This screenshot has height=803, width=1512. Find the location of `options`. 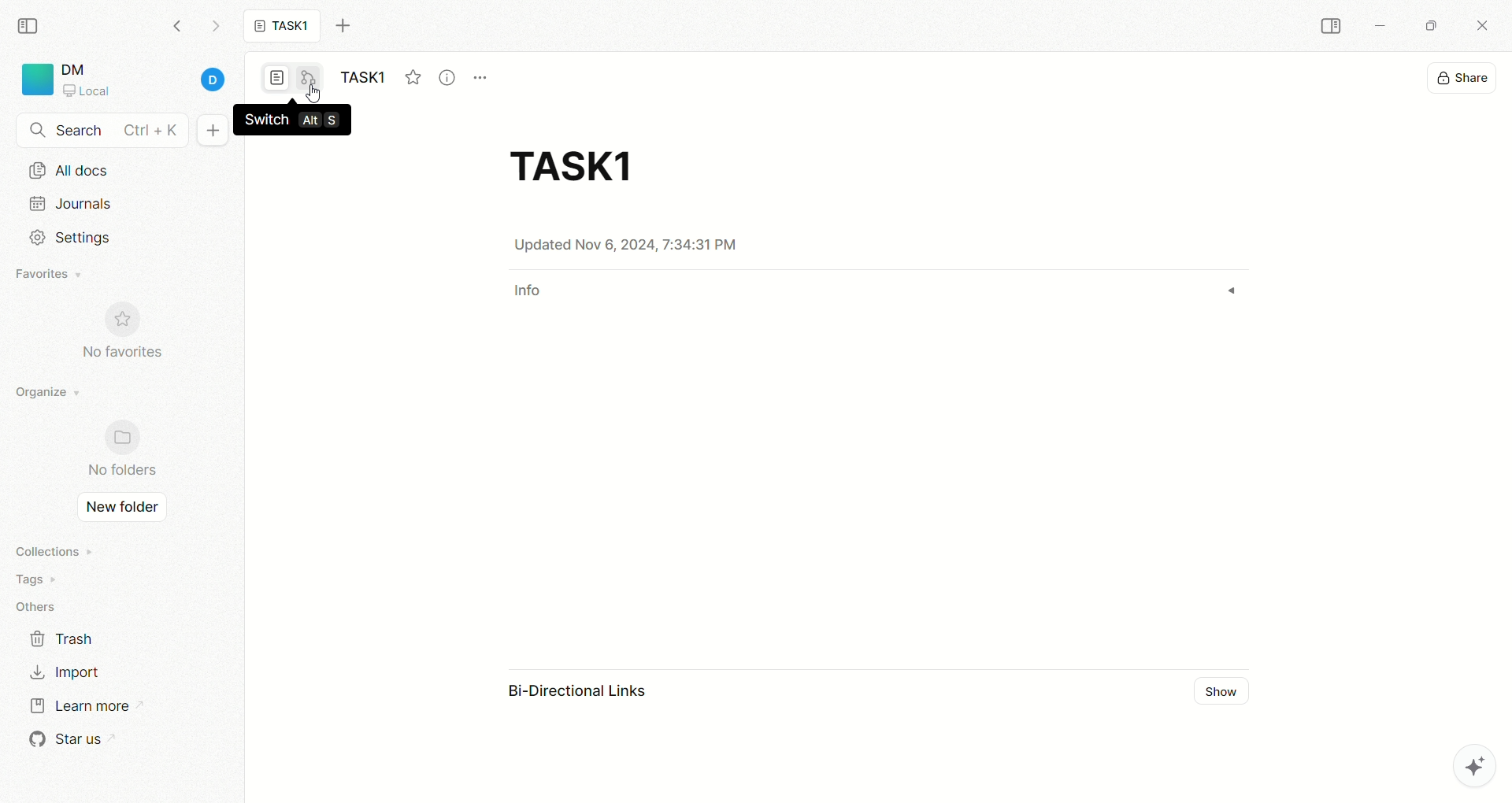

options is located at coordinates (484, 76).